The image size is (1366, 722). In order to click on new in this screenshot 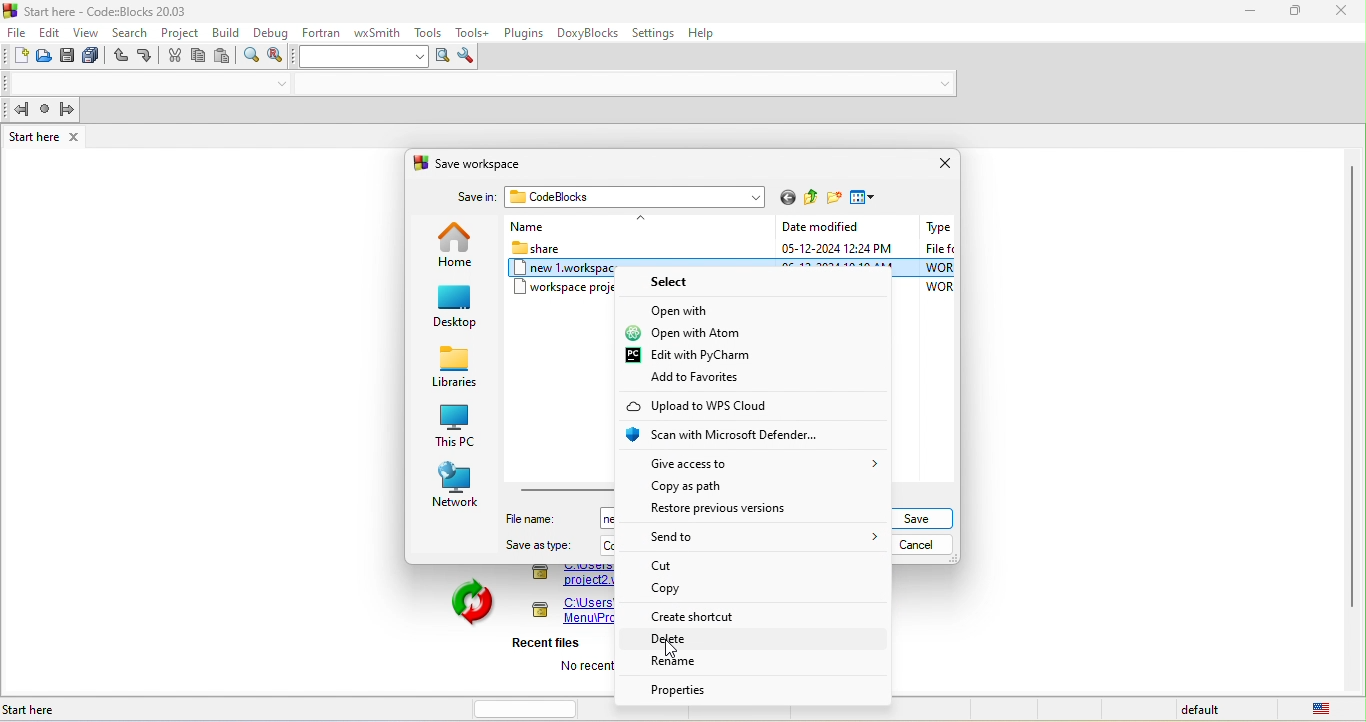, I will do `click(17, 57)`.